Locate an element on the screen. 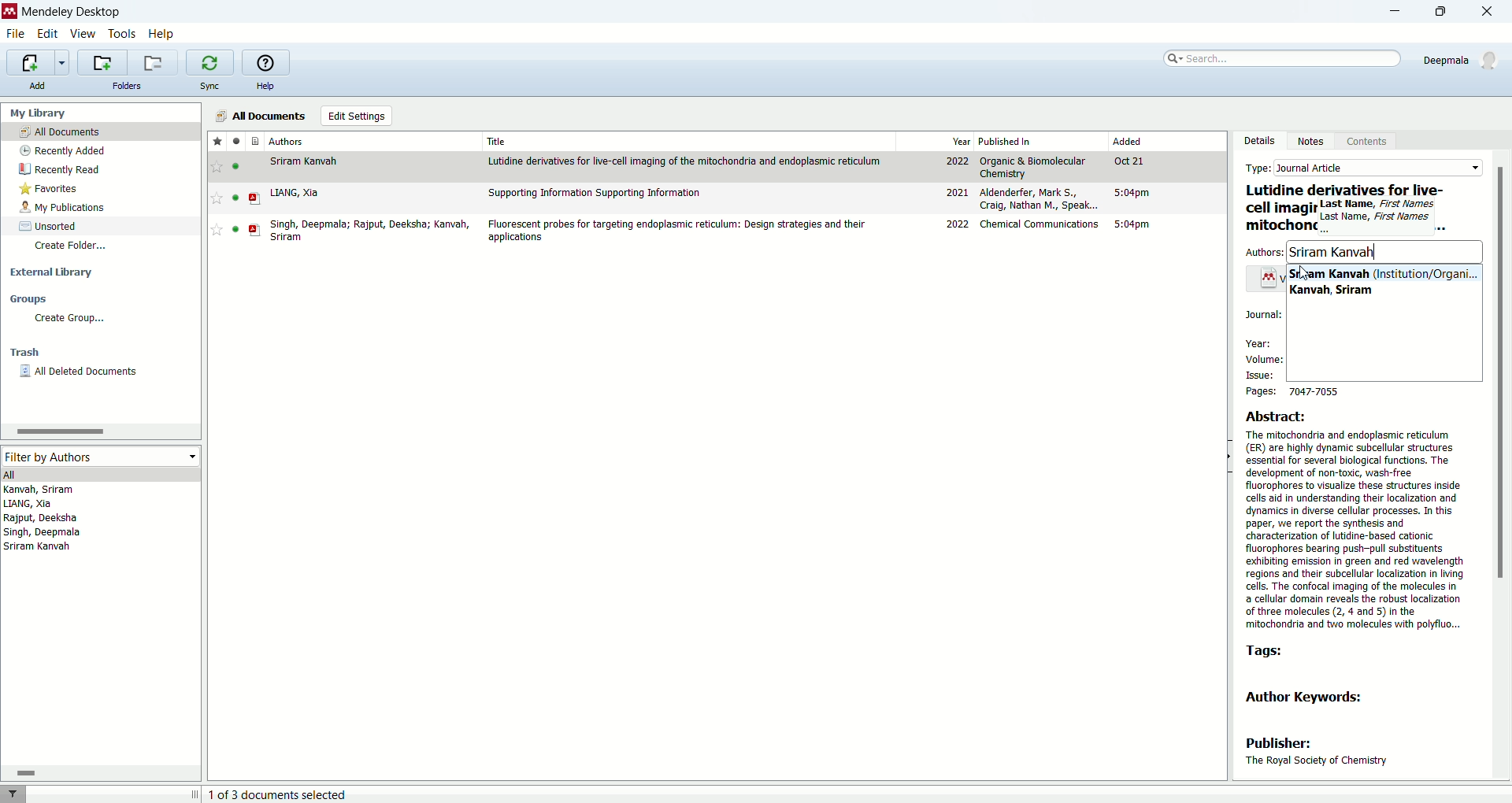 This screenshot has width=1512, height=803. edit settings is located at coordinates (357, 117).